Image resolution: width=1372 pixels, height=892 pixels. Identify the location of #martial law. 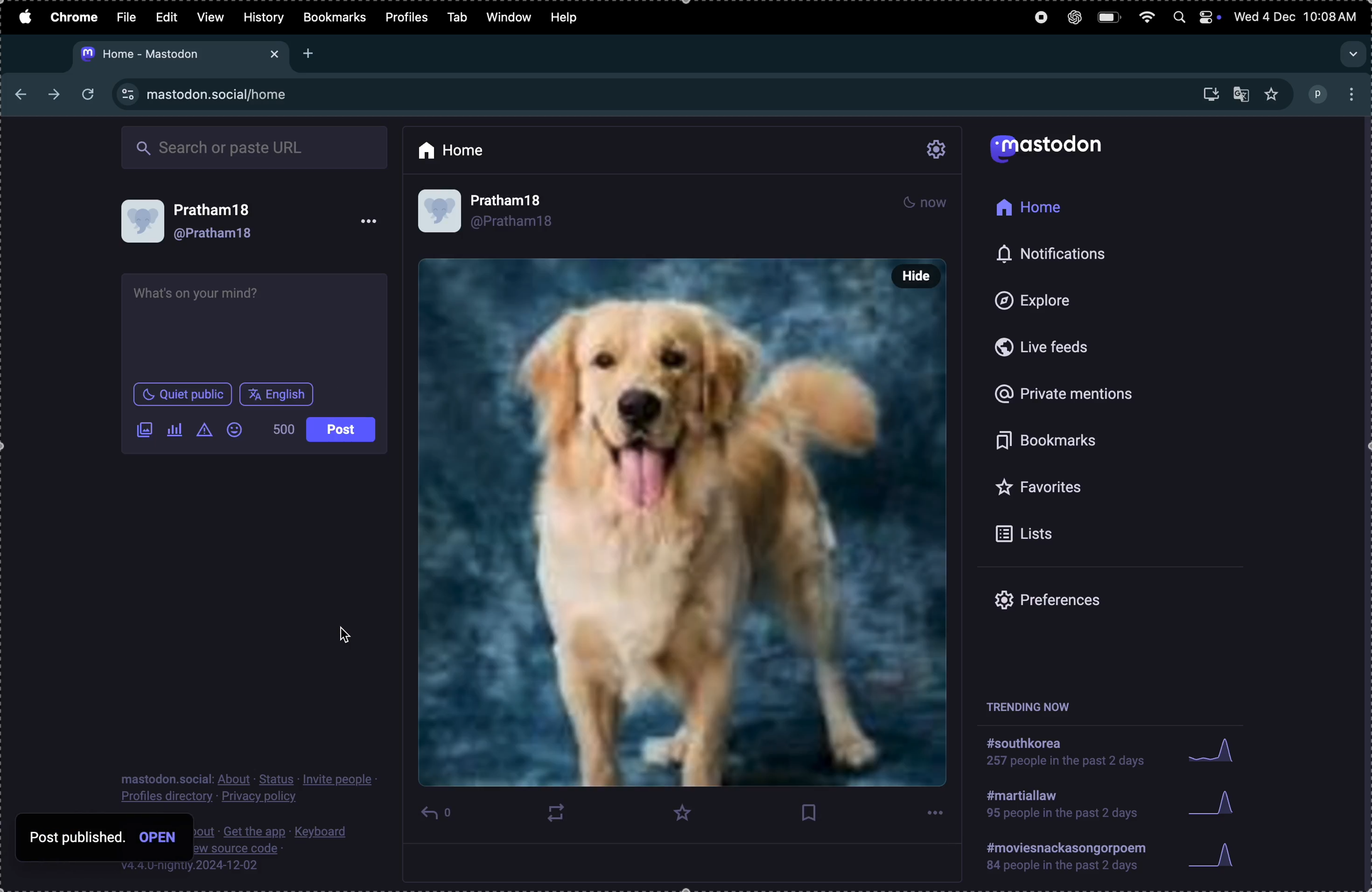
(1056, 808).